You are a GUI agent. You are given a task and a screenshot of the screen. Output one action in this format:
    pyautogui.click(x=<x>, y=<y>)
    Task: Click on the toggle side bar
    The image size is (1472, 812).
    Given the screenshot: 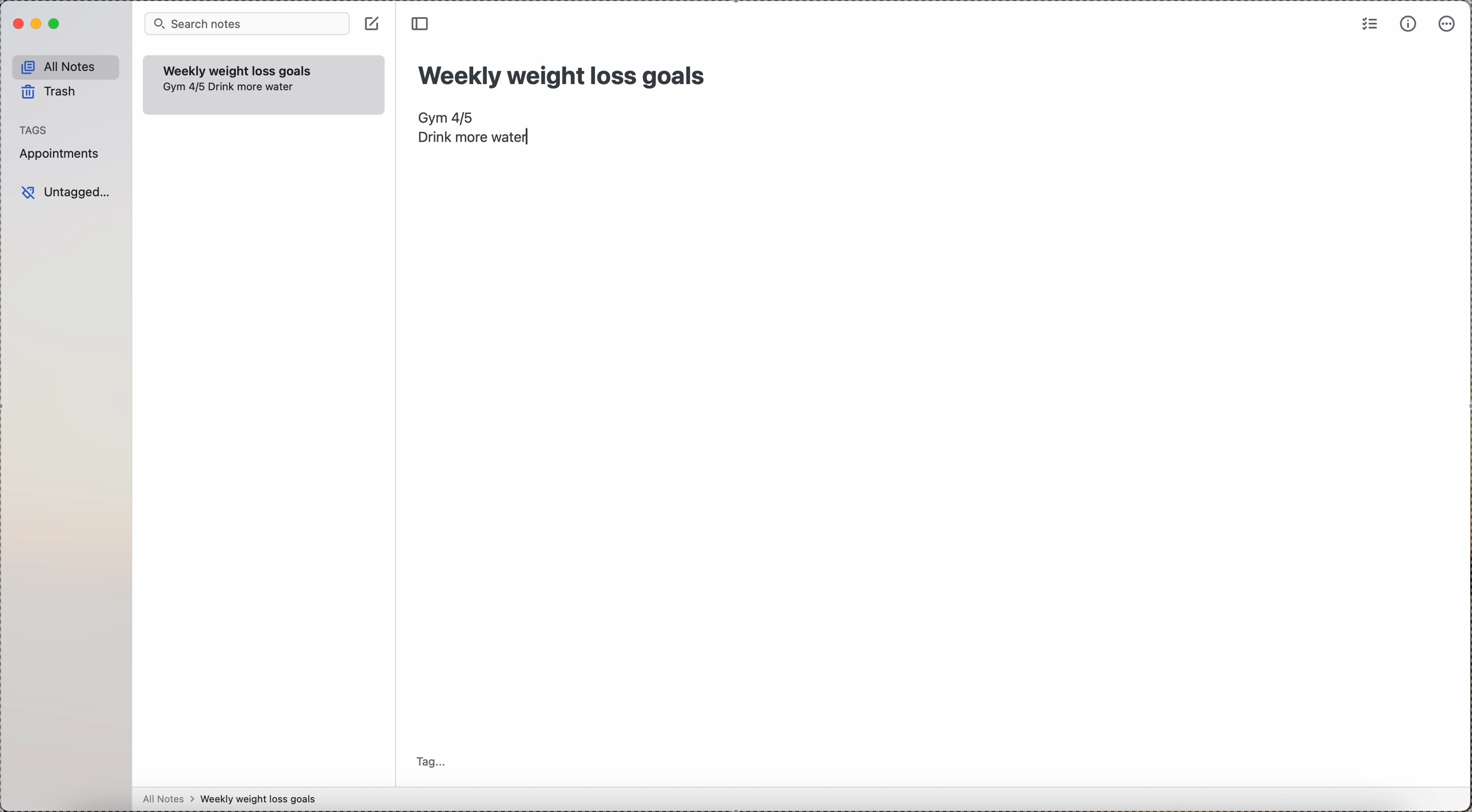 What is the action you would take?
    pyautogui.click(x=423, y=24)
    